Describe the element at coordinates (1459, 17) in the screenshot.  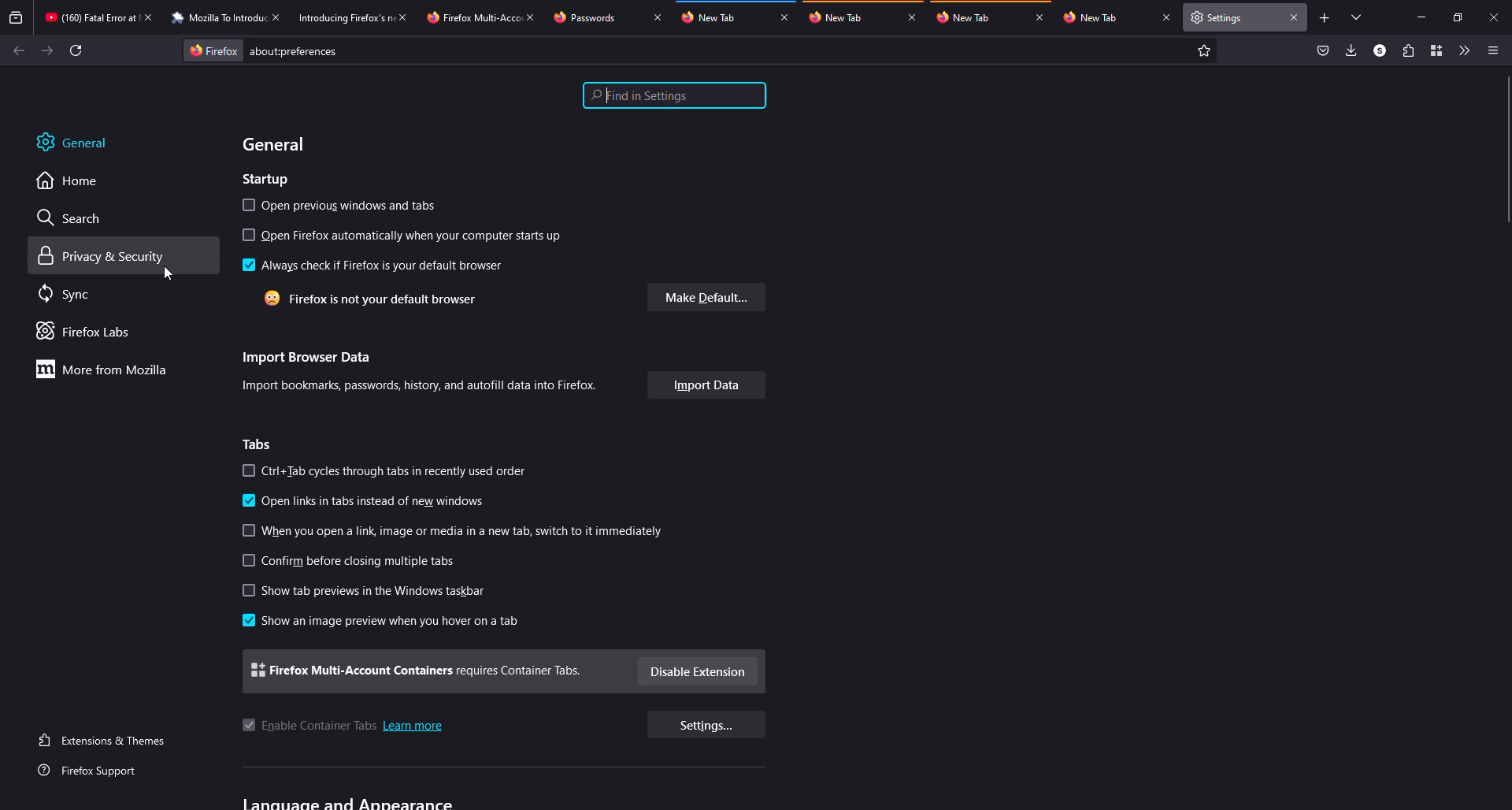
I see `maximize` at that location.